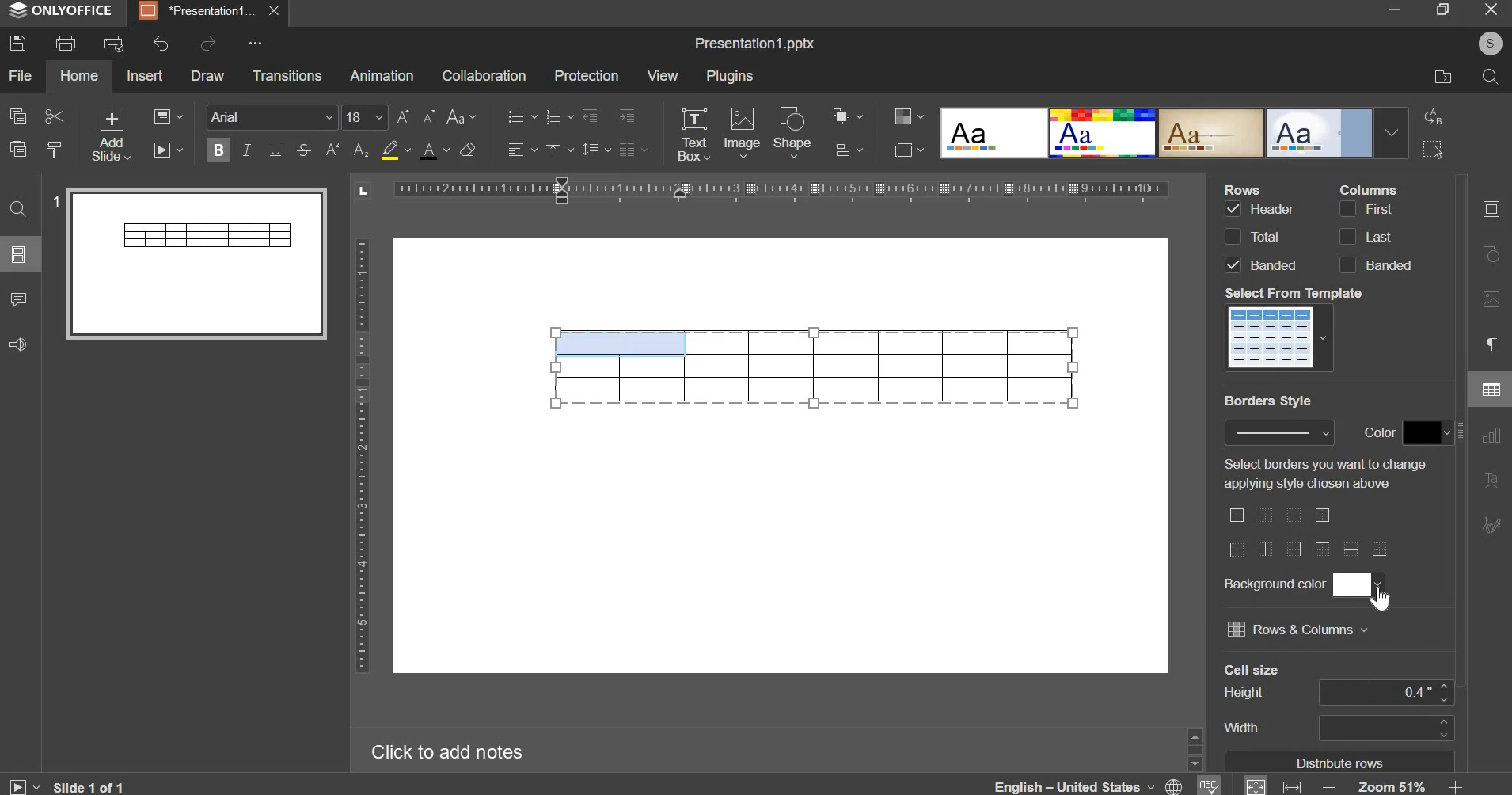  I want to click on chart settings, so click(848, 150).